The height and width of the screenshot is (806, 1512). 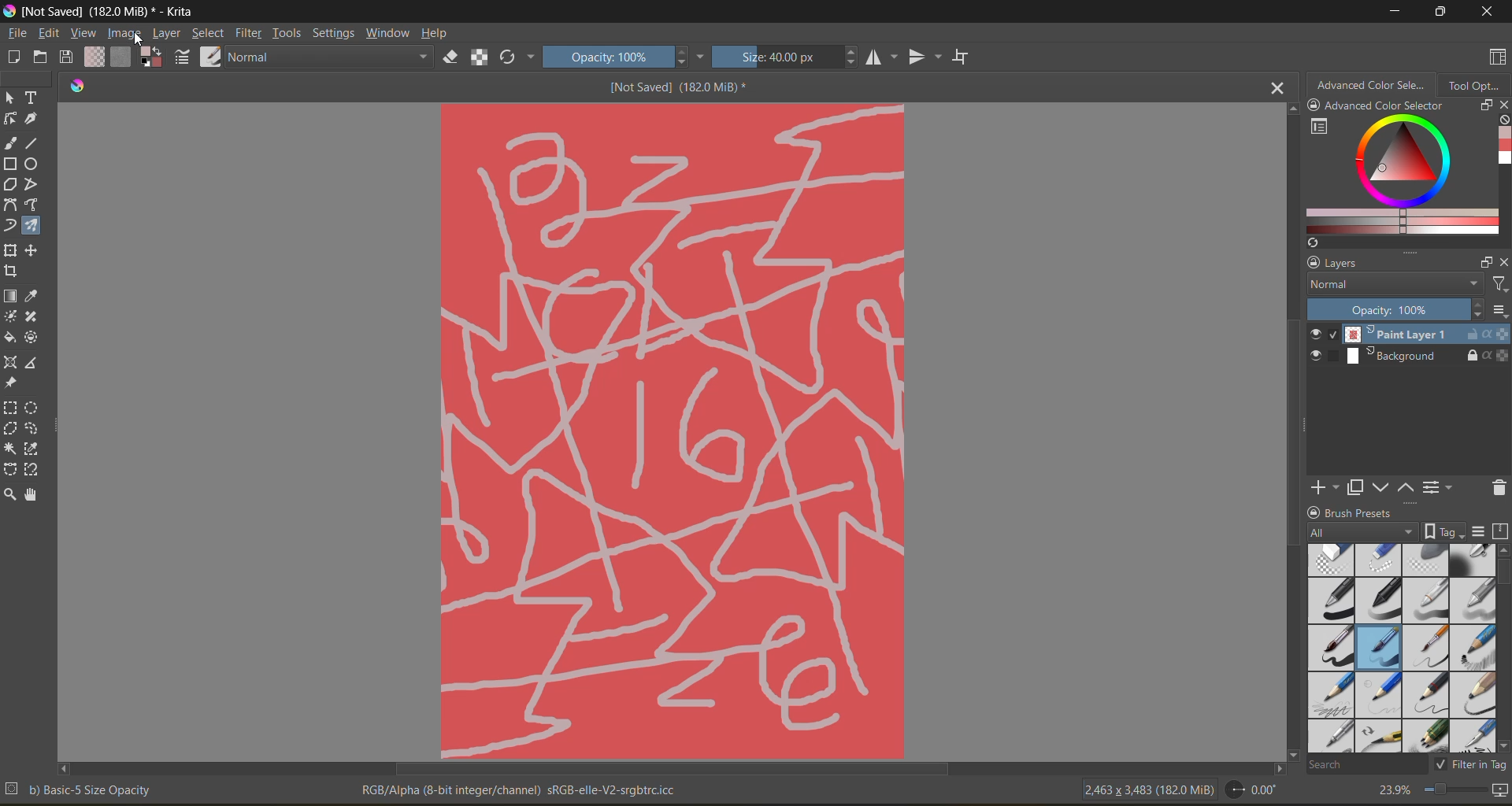 I want to click on zoom , so click(x=1451, y=789).